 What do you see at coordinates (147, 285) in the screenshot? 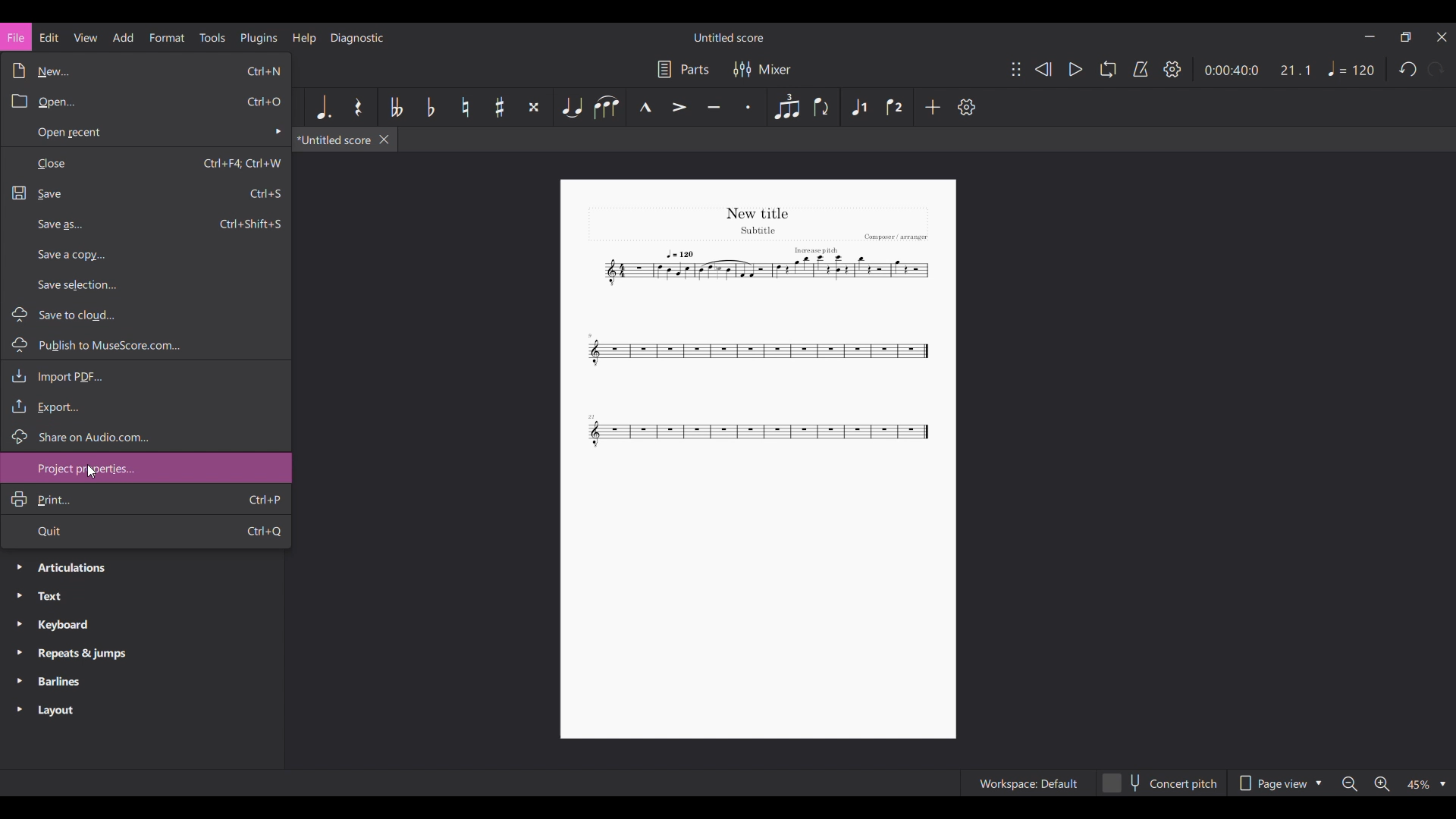
I see `Save selection...` at bounding box center [147, 285].